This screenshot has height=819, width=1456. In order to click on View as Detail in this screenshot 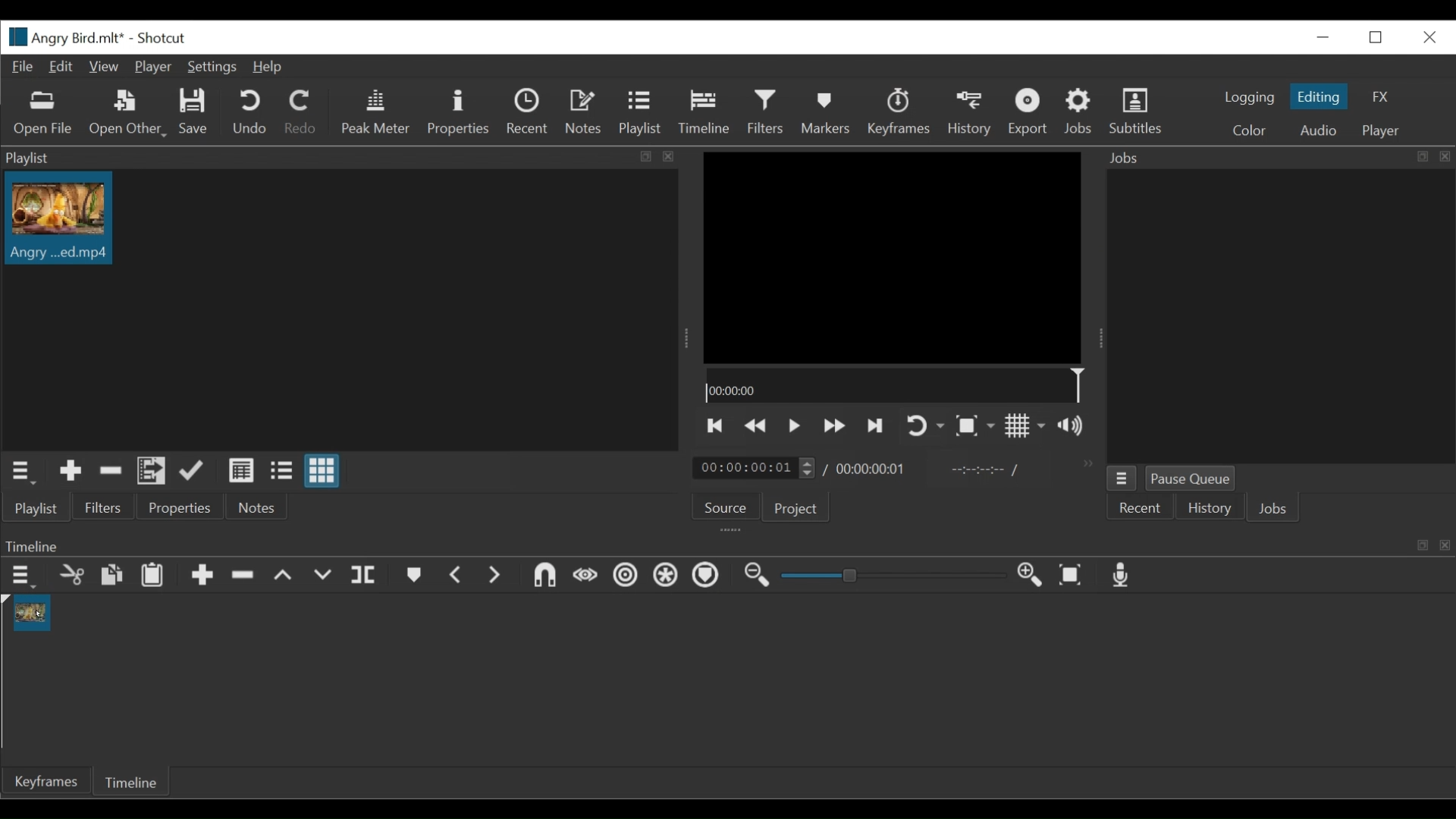, I will do `click(240, 470)`.